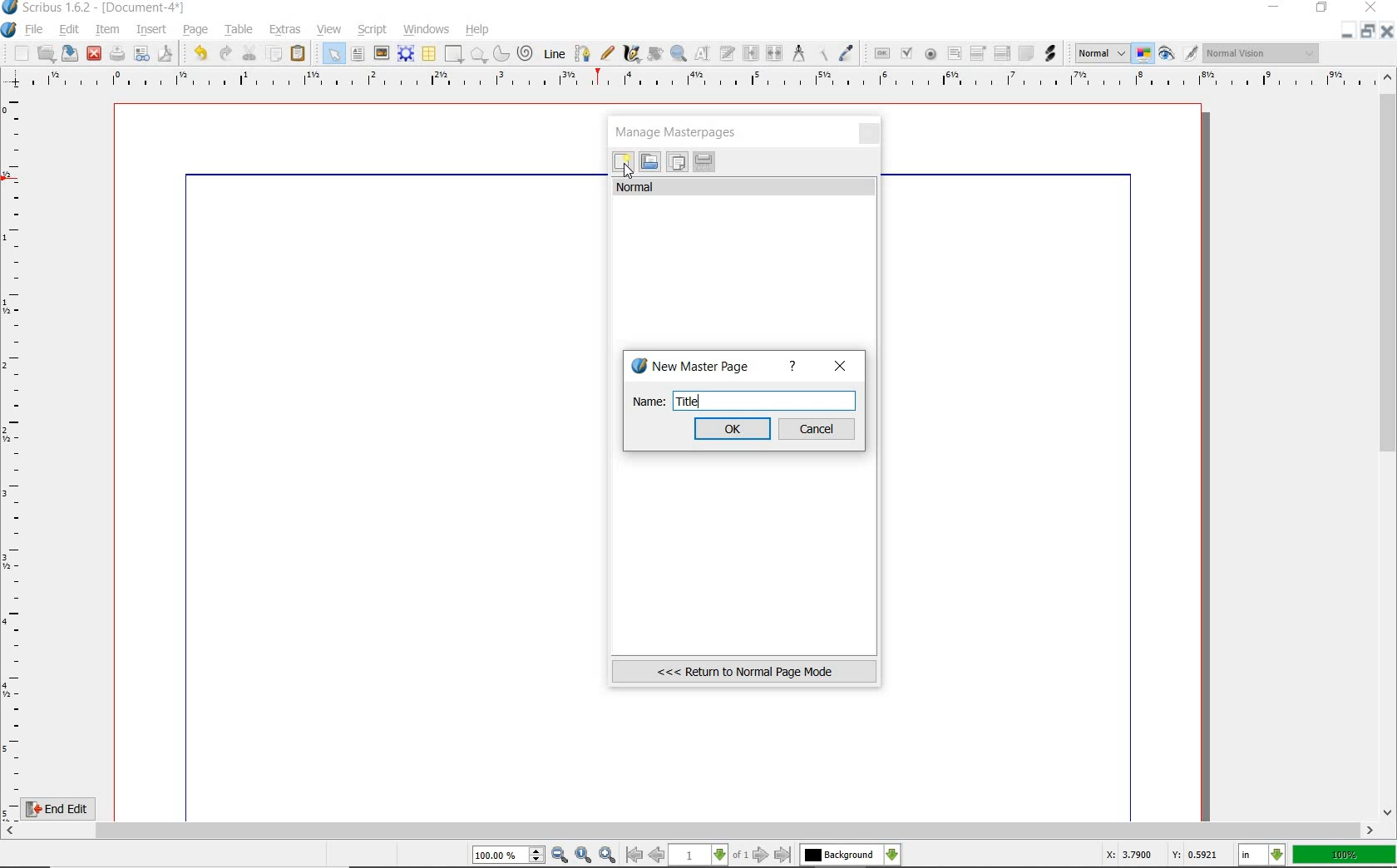  Describe the element at coordinates (728, 55) in the screenshot. I see `edit text with story editor` at that location.